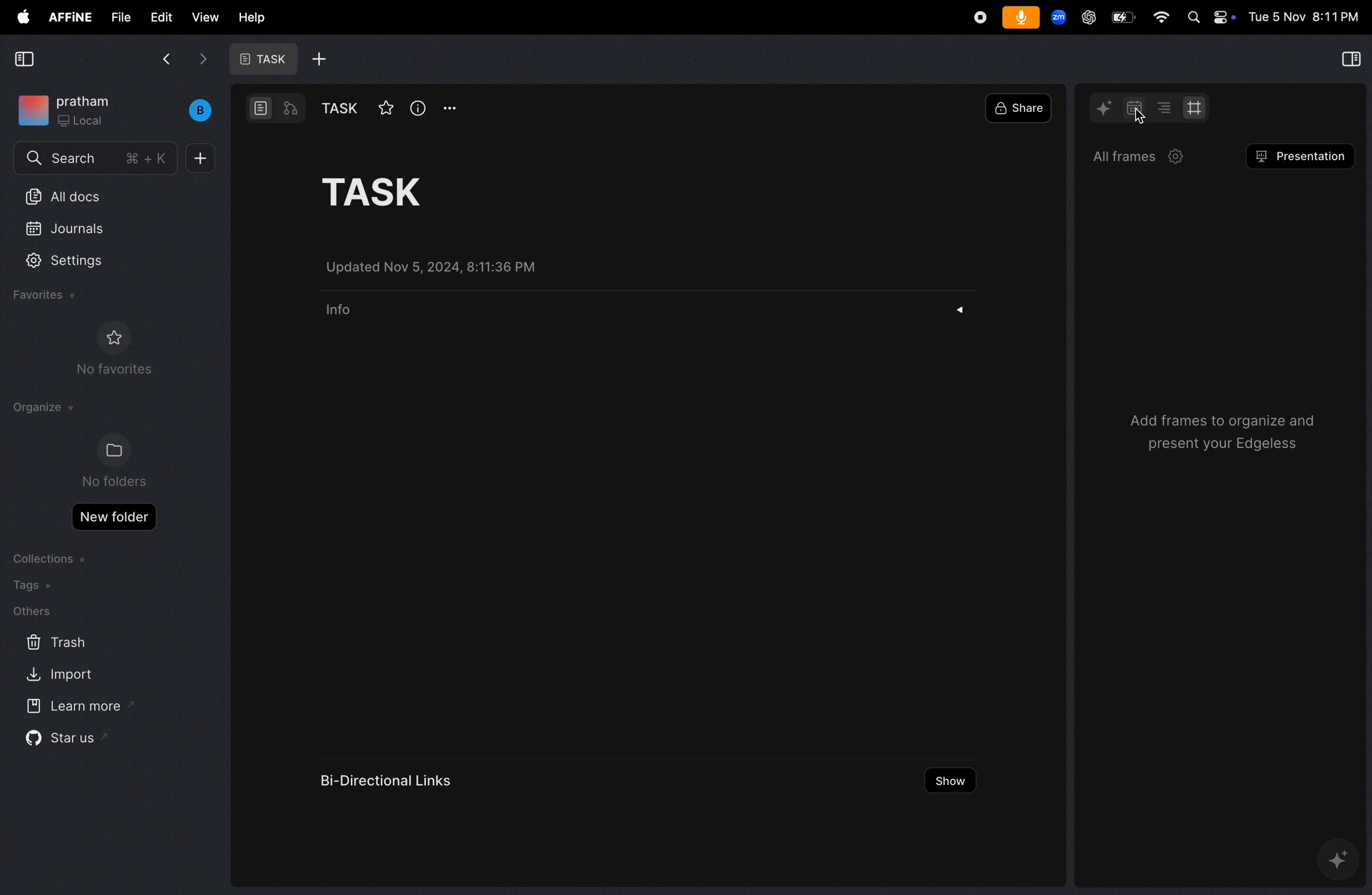 Image resolution: width=1372 pixels, height=895 pixels. What do you see at coordinates (450, 108) in the screenshot?
I see `opyions` at bounding box center [450, 108].